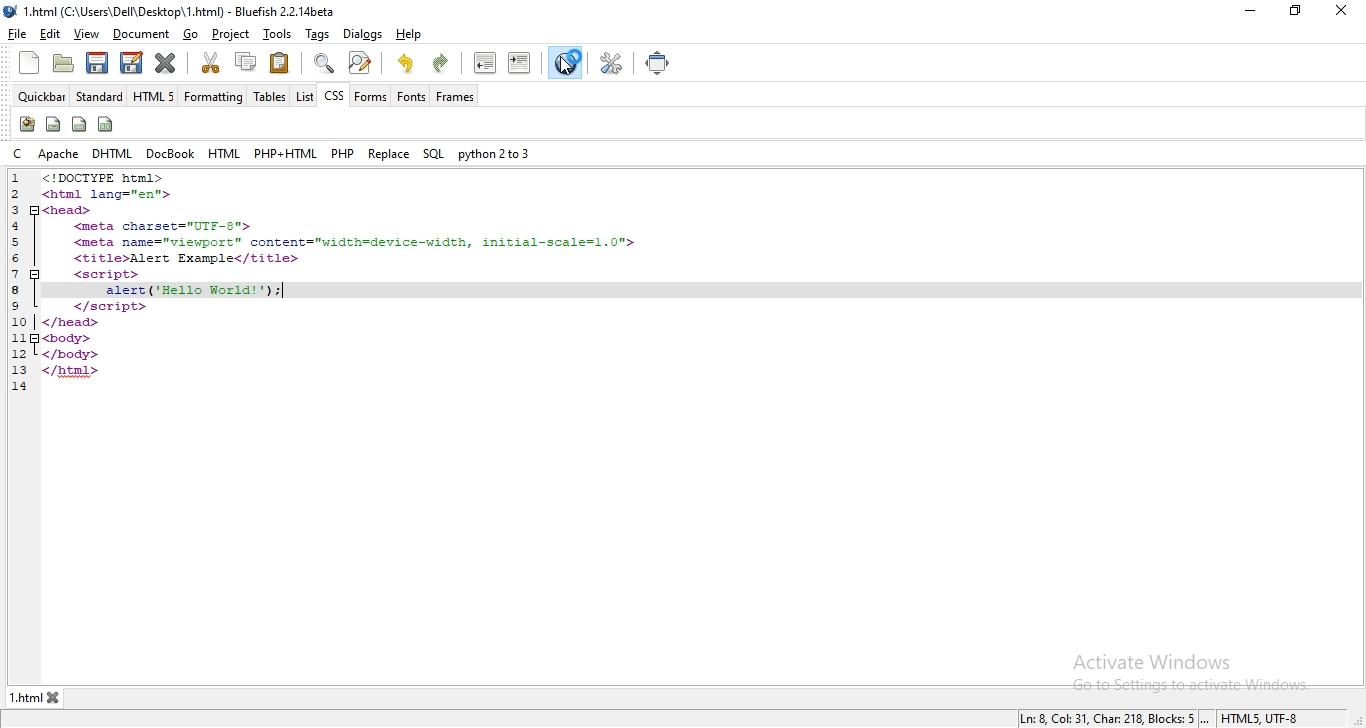 The height and width of the screenshot is (728, 1366). I want to click on project, so click(230, 34).